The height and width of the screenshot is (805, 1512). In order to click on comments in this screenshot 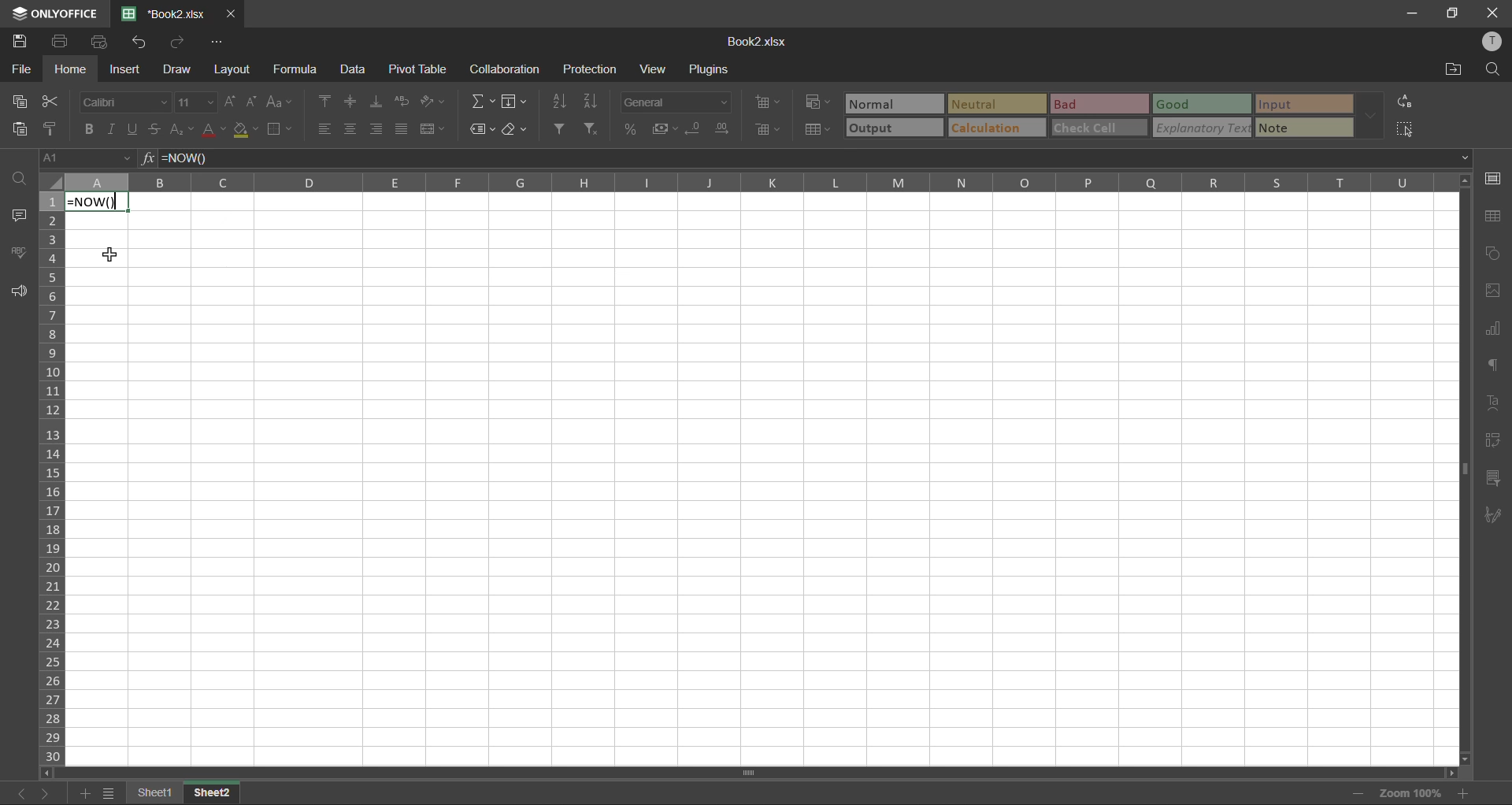, I will do `click(20, 215)`.